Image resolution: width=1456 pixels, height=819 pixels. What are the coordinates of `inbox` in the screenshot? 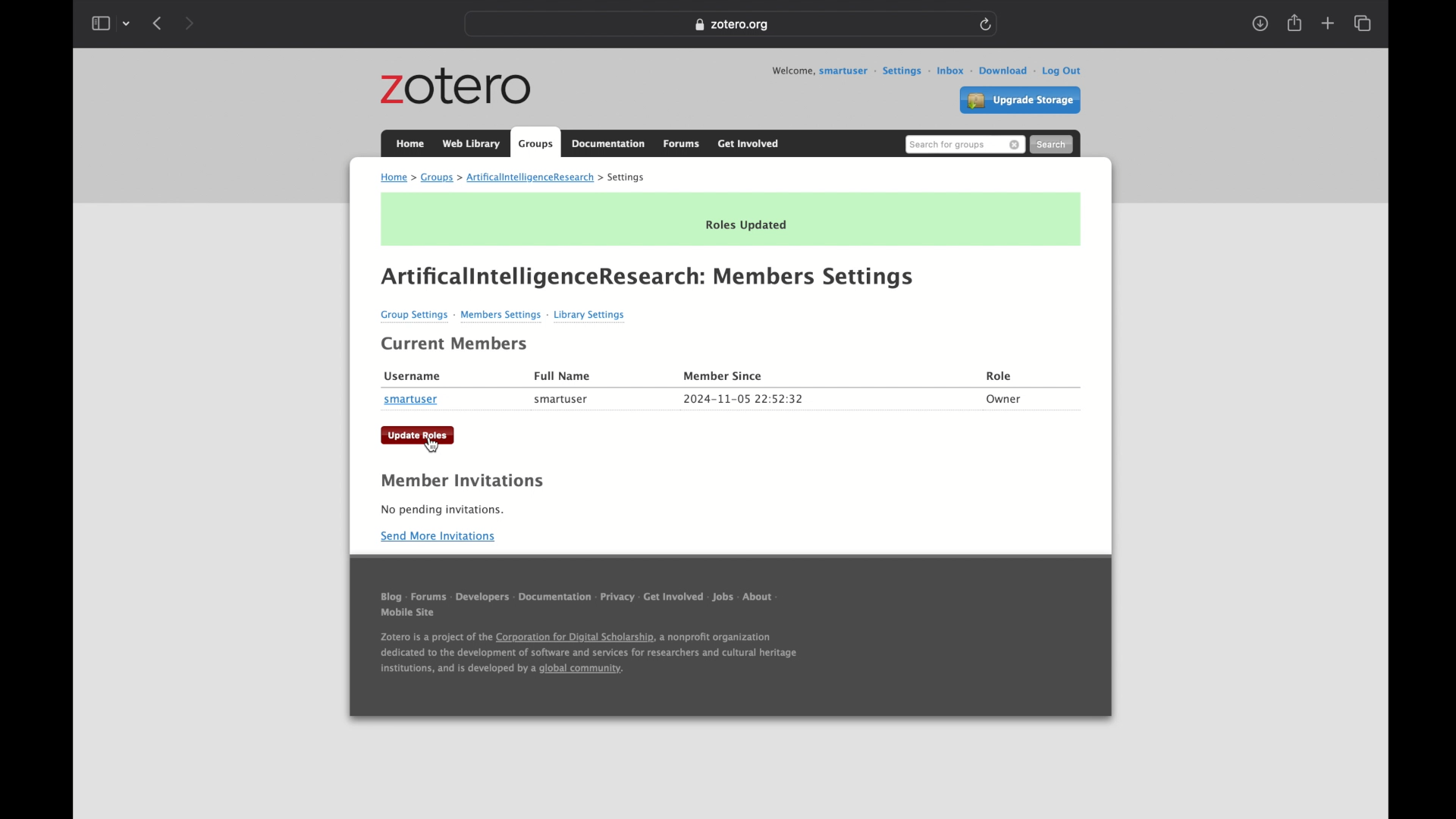 It's located at (944, 70).